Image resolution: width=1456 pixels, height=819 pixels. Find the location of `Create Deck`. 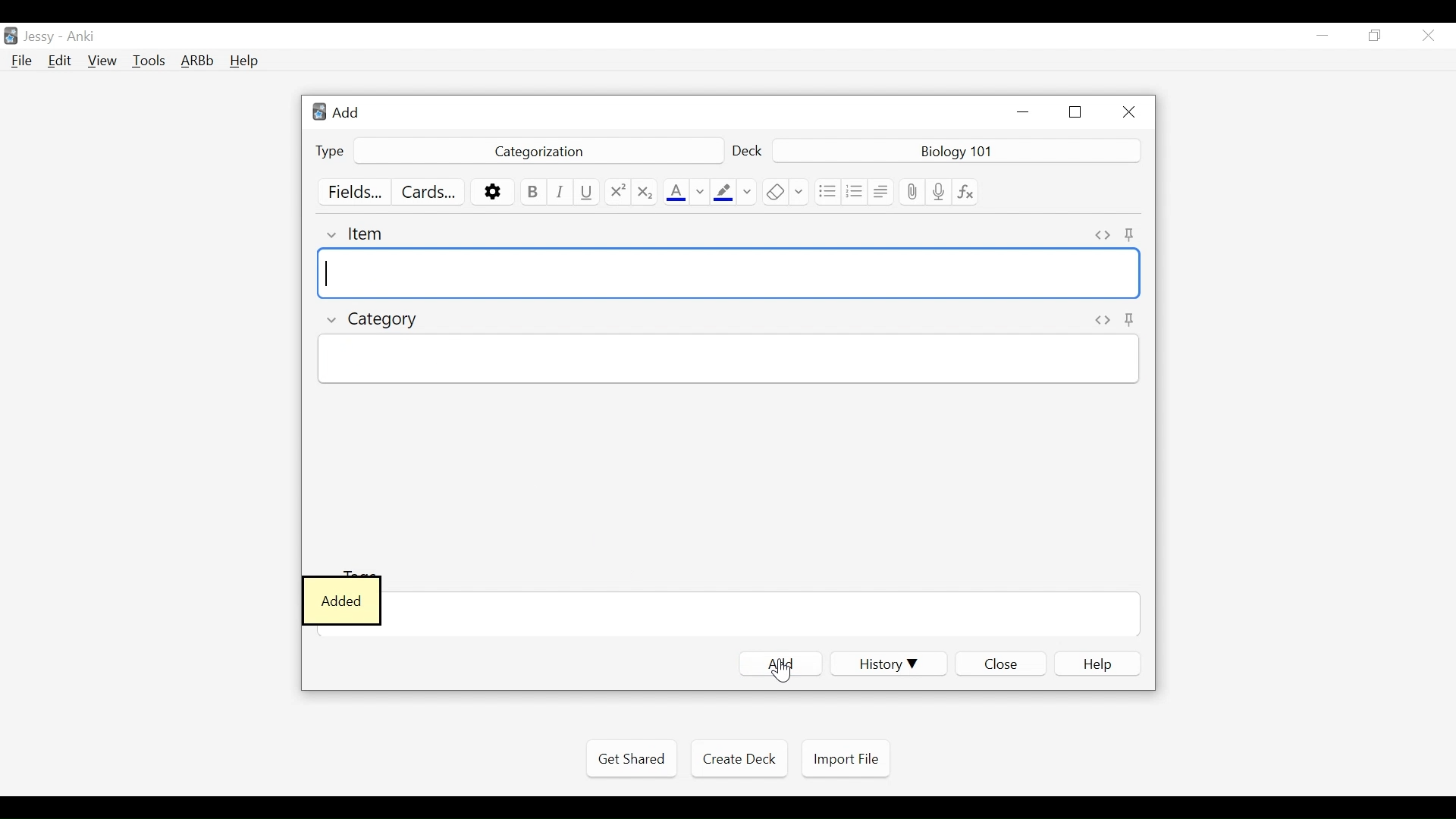

Create Deck is located at coordinates (736, 758).